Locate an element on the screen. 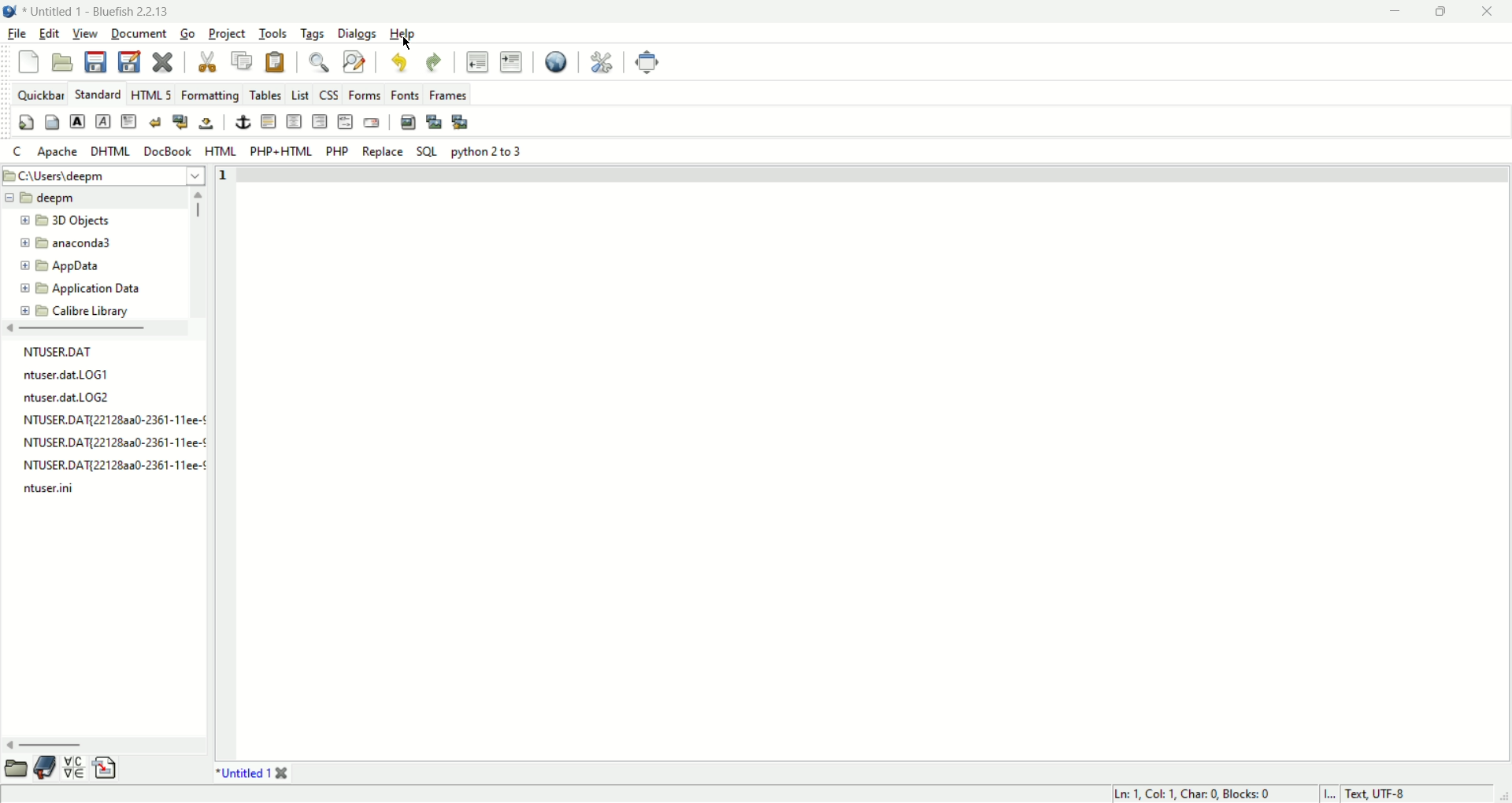  close is located at coordinates (1492, 12).